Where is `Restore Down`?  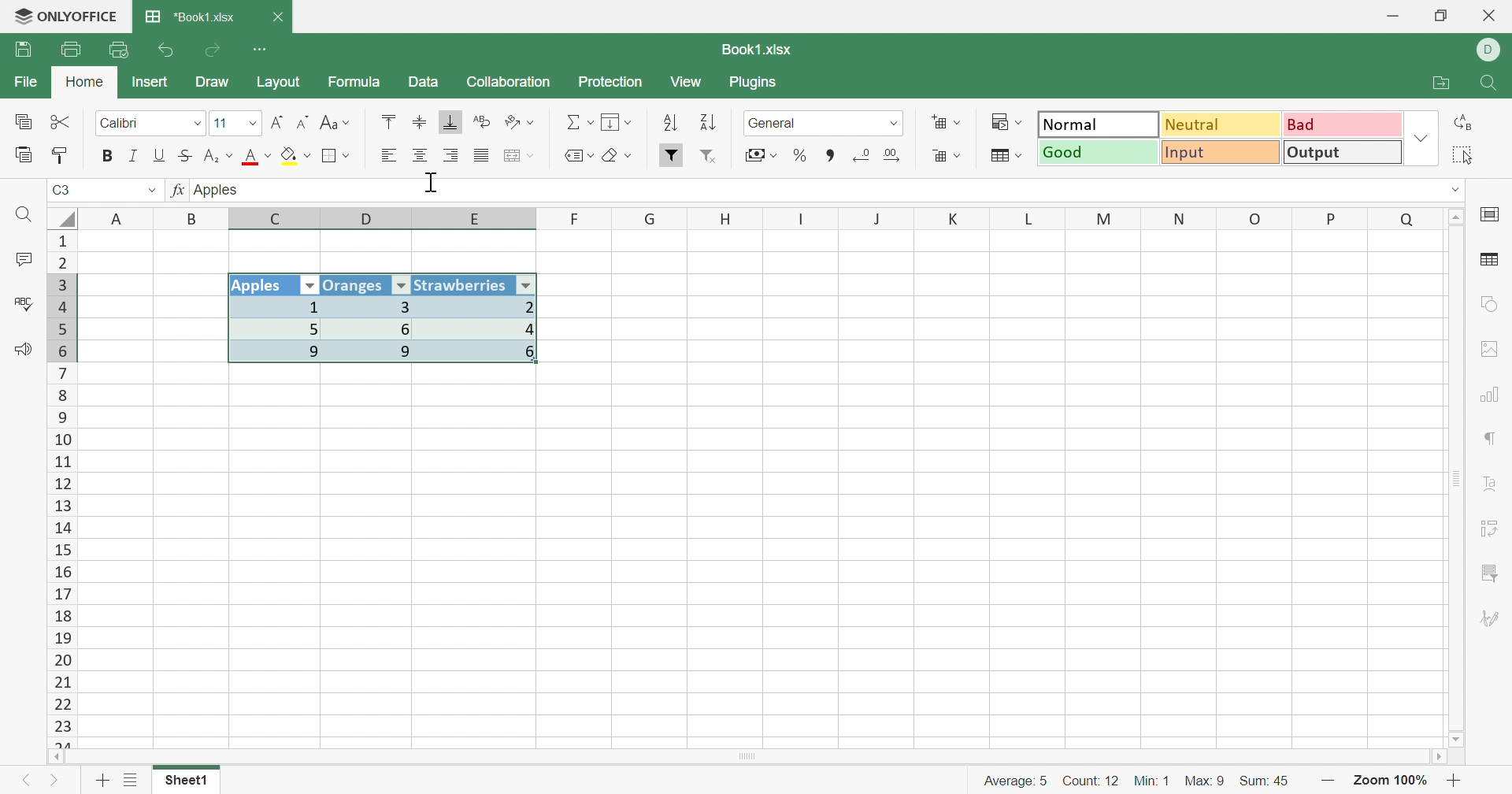
Restore Down is located at coordinates (1443, 16).